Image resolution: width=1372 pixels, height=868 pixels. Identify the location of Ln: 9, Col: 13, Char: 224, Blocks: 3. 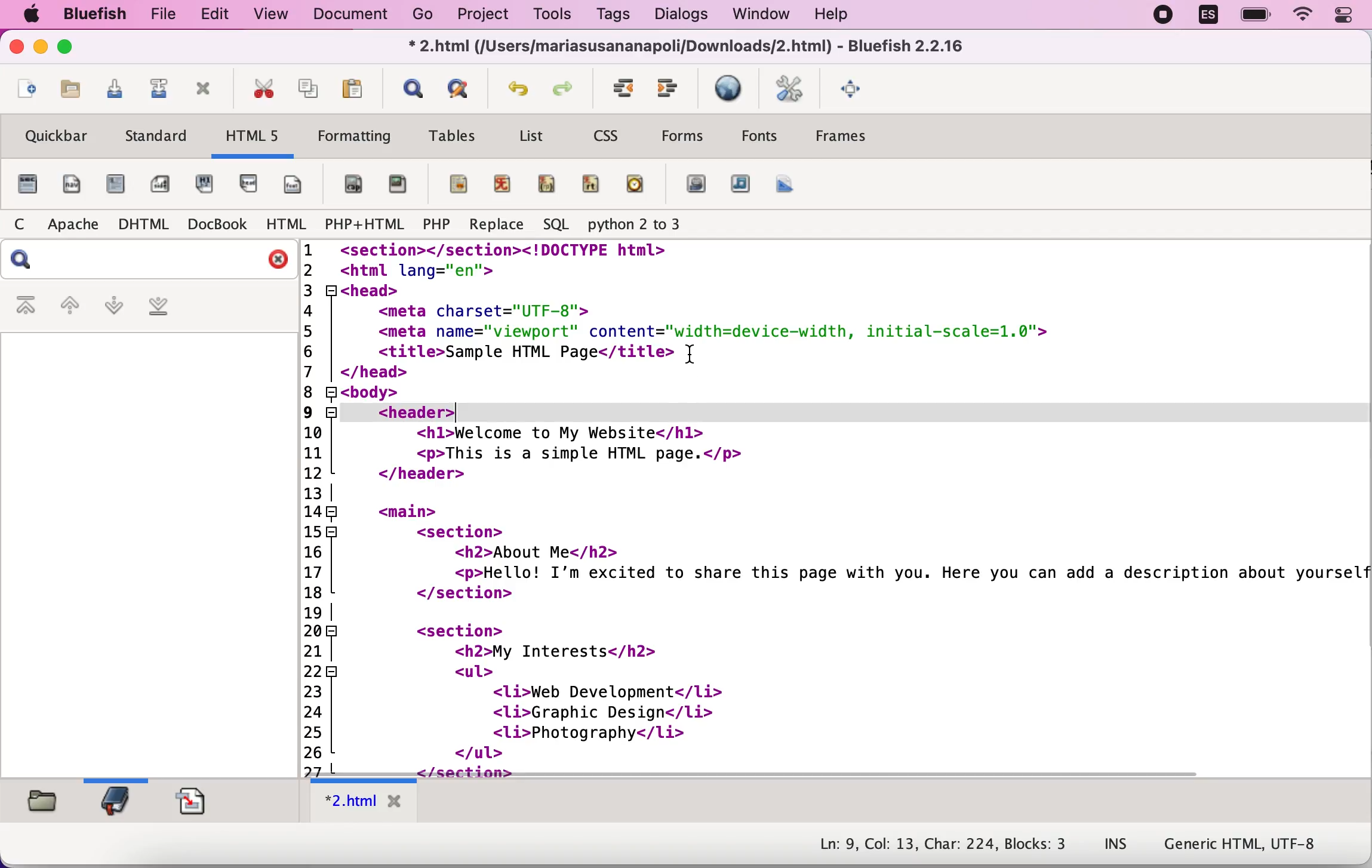
(941, 840).